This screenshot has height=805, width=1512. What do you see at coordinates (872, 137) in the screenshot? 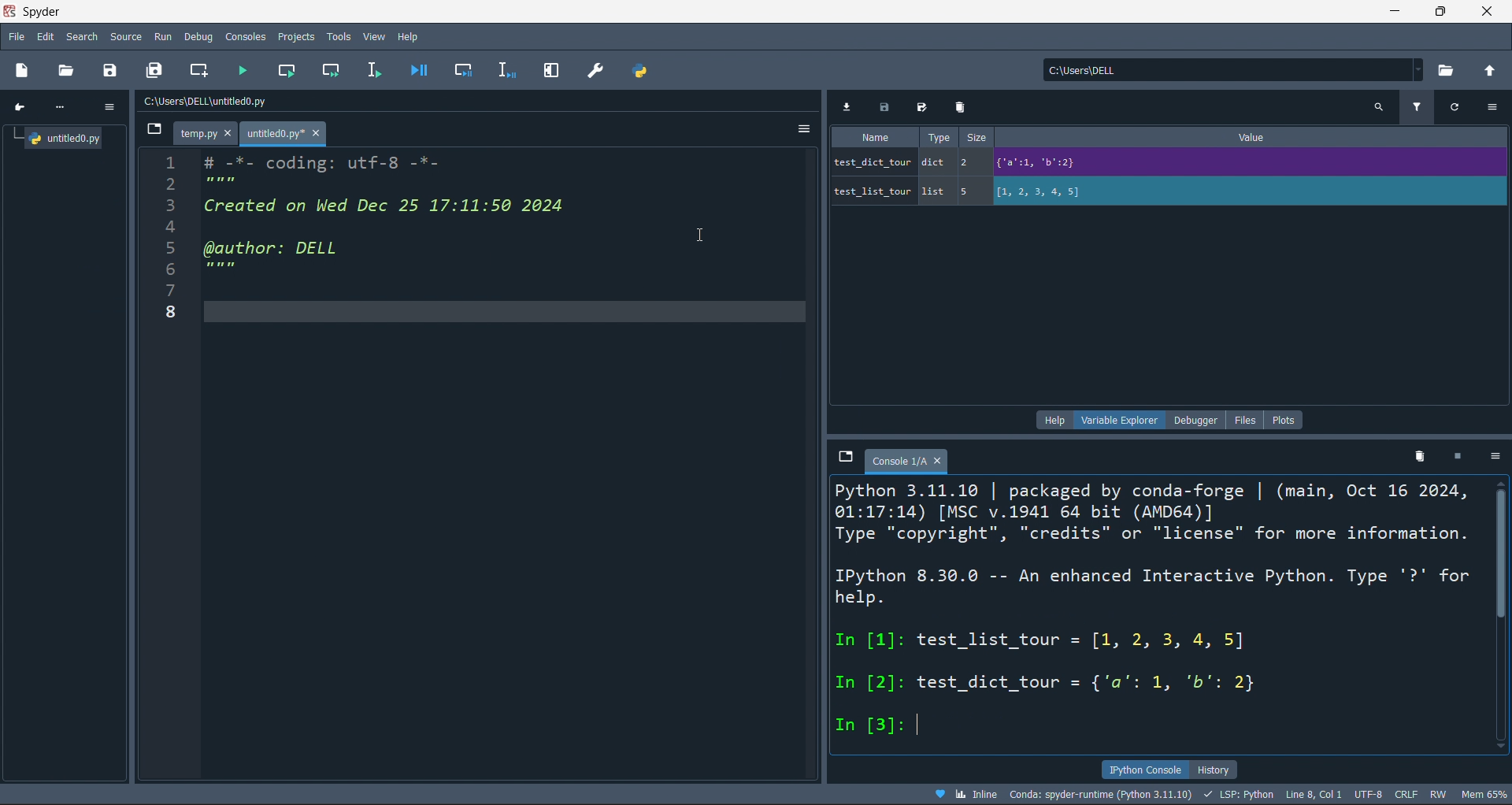
I see `name` at bounding box center [872, 137].